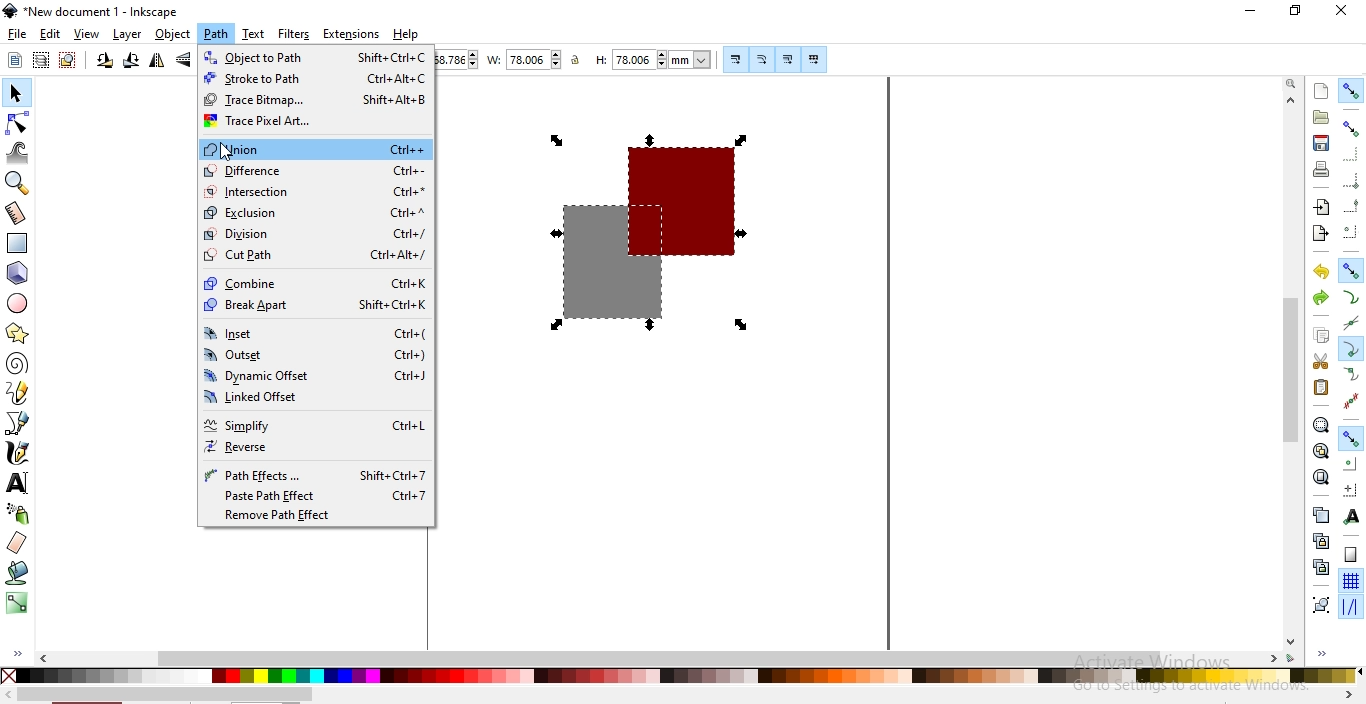 Image resolution: width=1366 pixels, height=704 pixels. Describe the element at coordinates (645, 233) in the screenshot. I see `shape image` at that location.